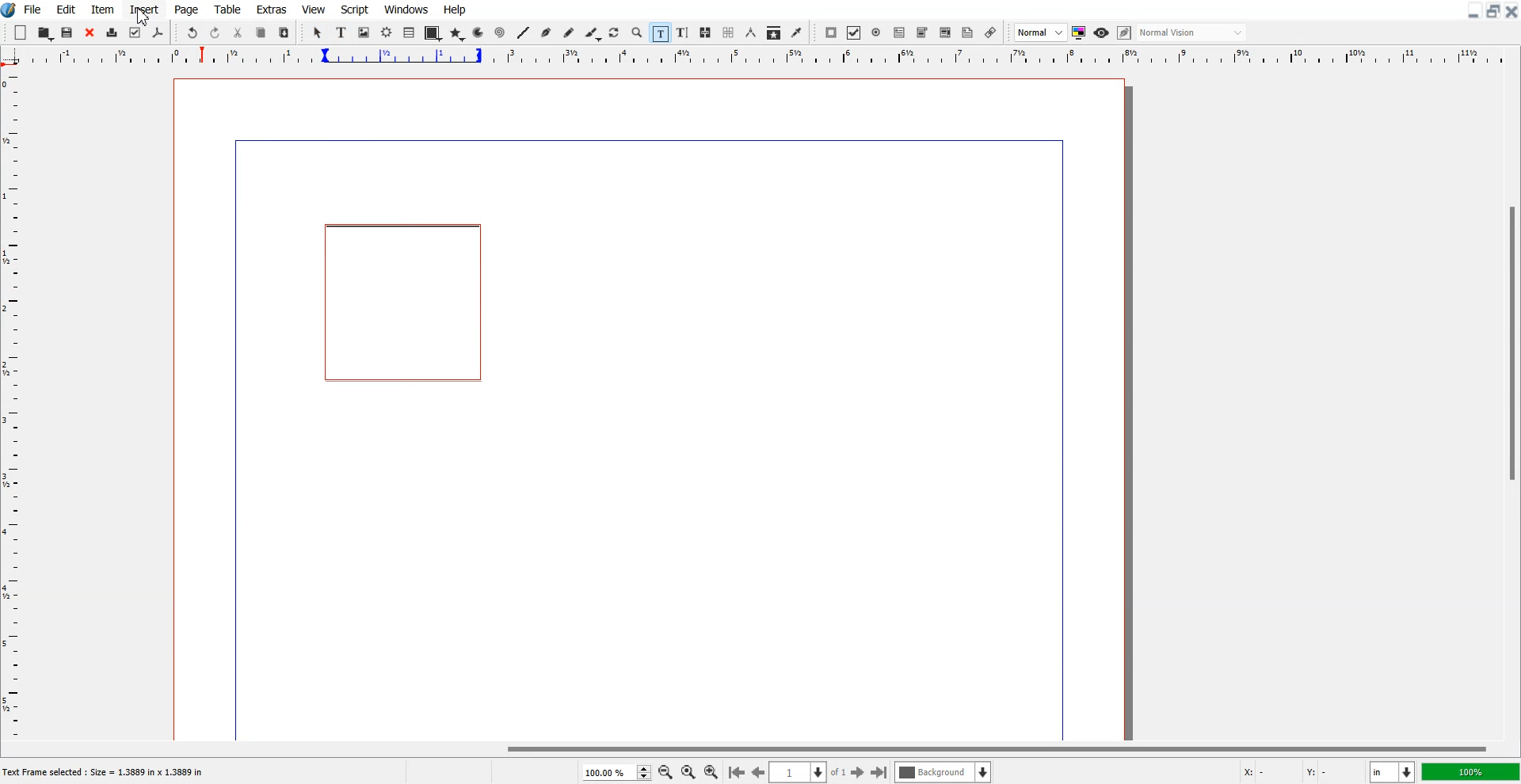 This screenshot has width=1521, height=784. Describe the element at coordinates (433, 33) in the screenshot. I see `Shape` at that location.